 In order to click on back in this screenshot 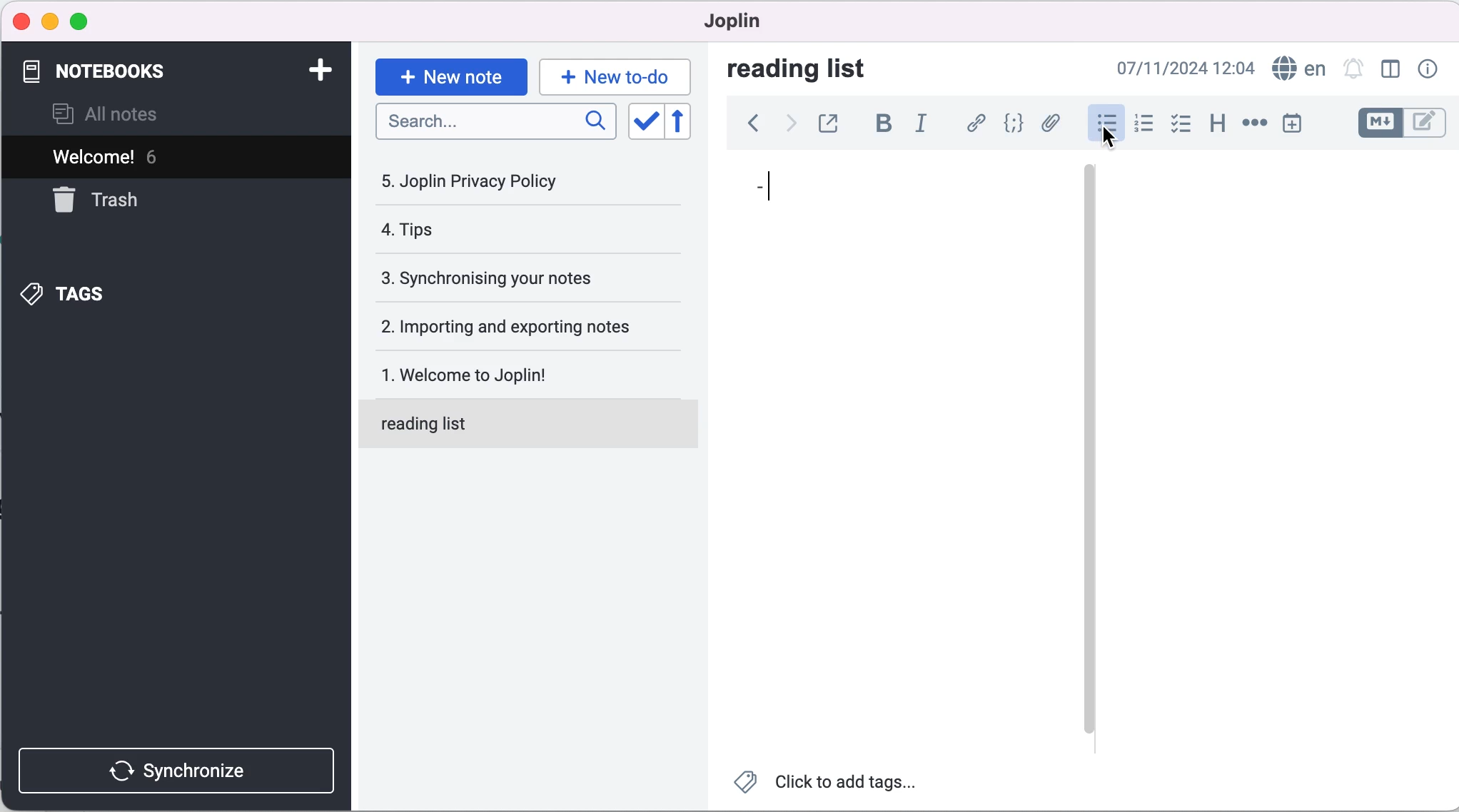, I will do `click(749, 123)`.